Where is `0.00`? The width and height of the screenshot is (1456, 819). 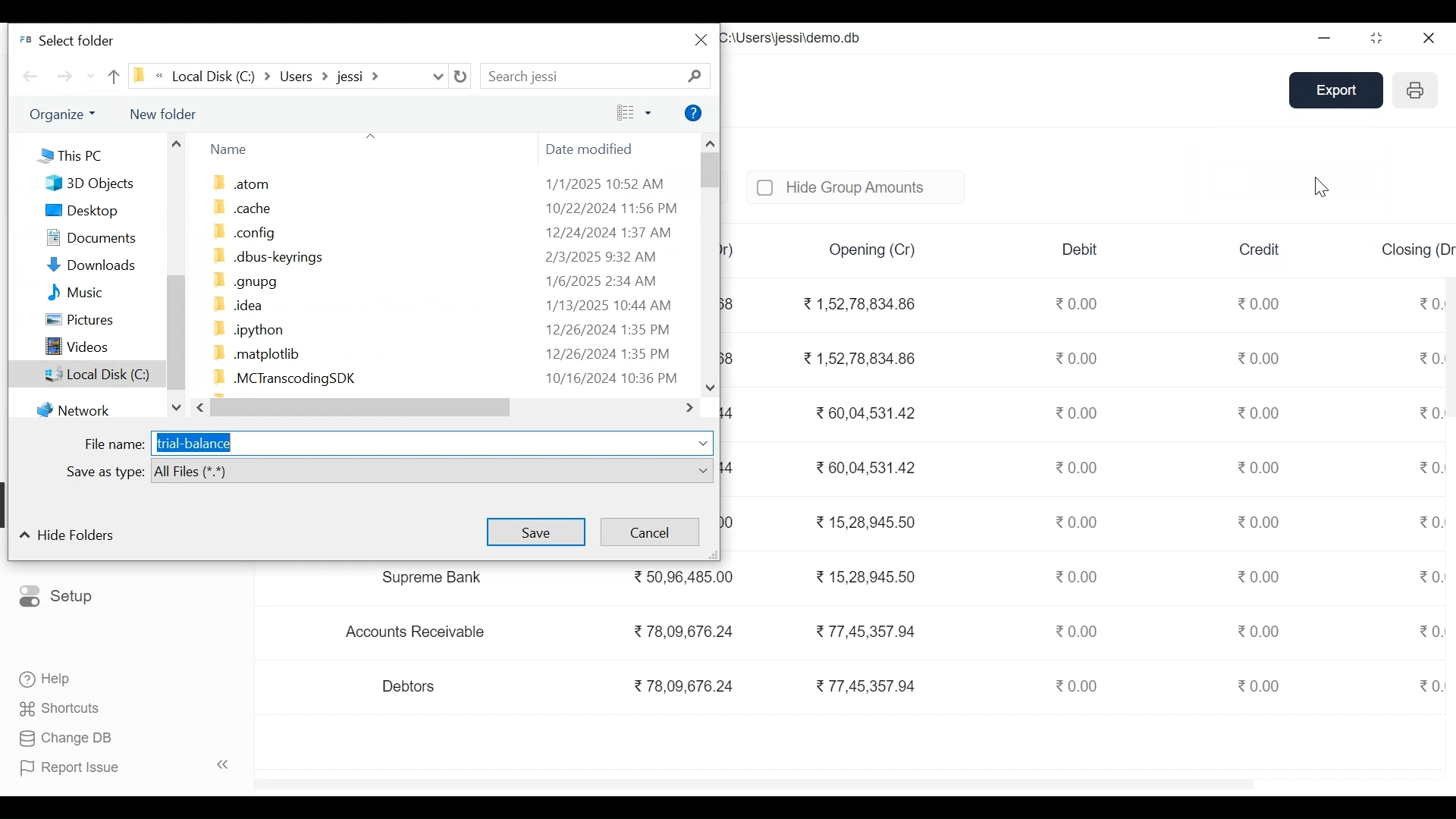
0.00 is located at coordinates (1078, 467).